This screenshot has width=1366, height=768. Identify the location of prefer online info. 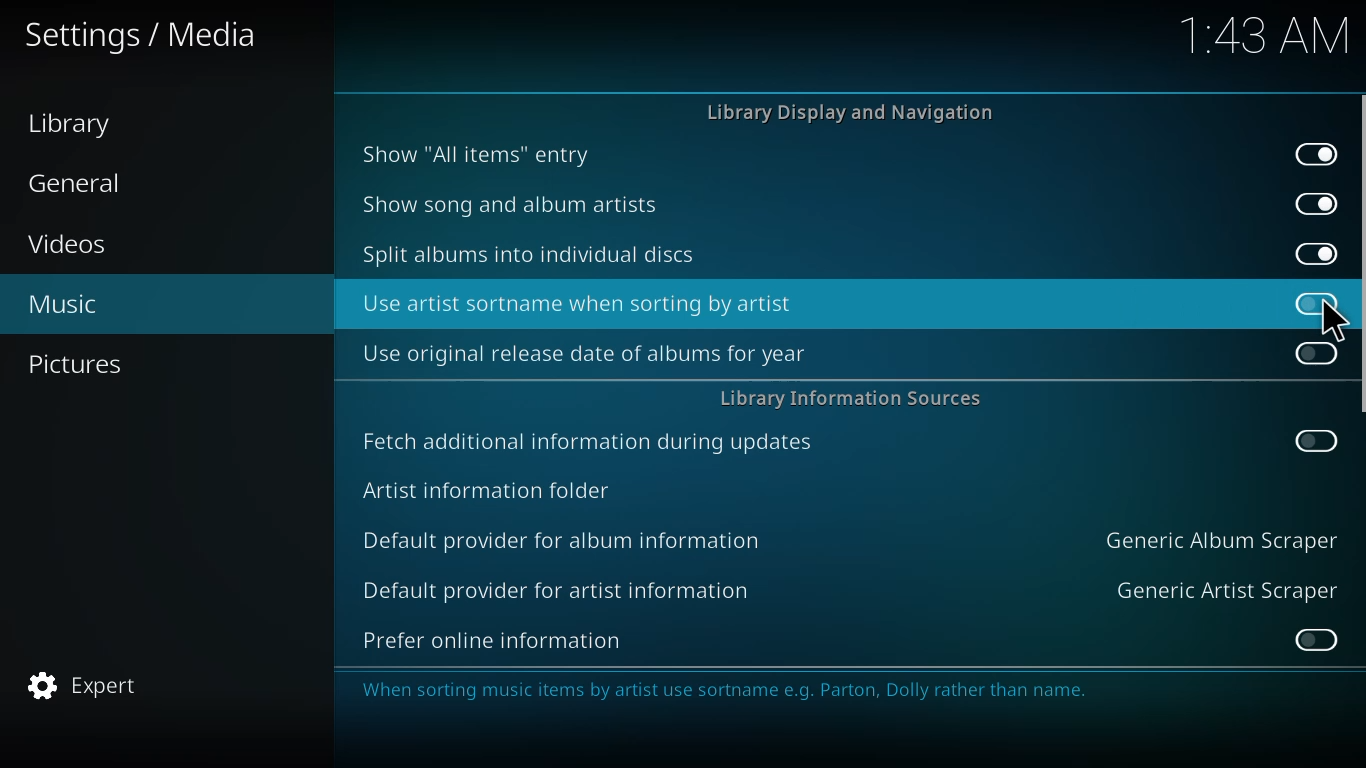
(493, 640).